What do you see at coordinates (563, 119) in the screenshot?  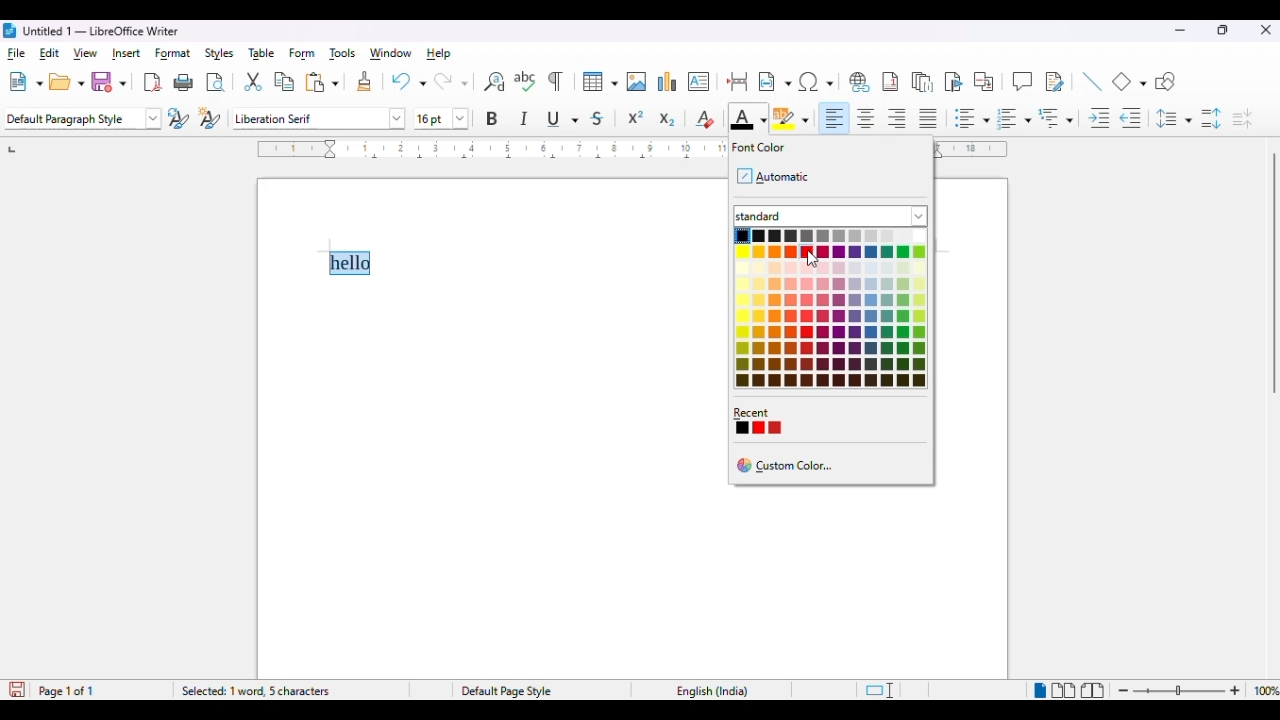 I see `underline` at bounding box center [563, 119].